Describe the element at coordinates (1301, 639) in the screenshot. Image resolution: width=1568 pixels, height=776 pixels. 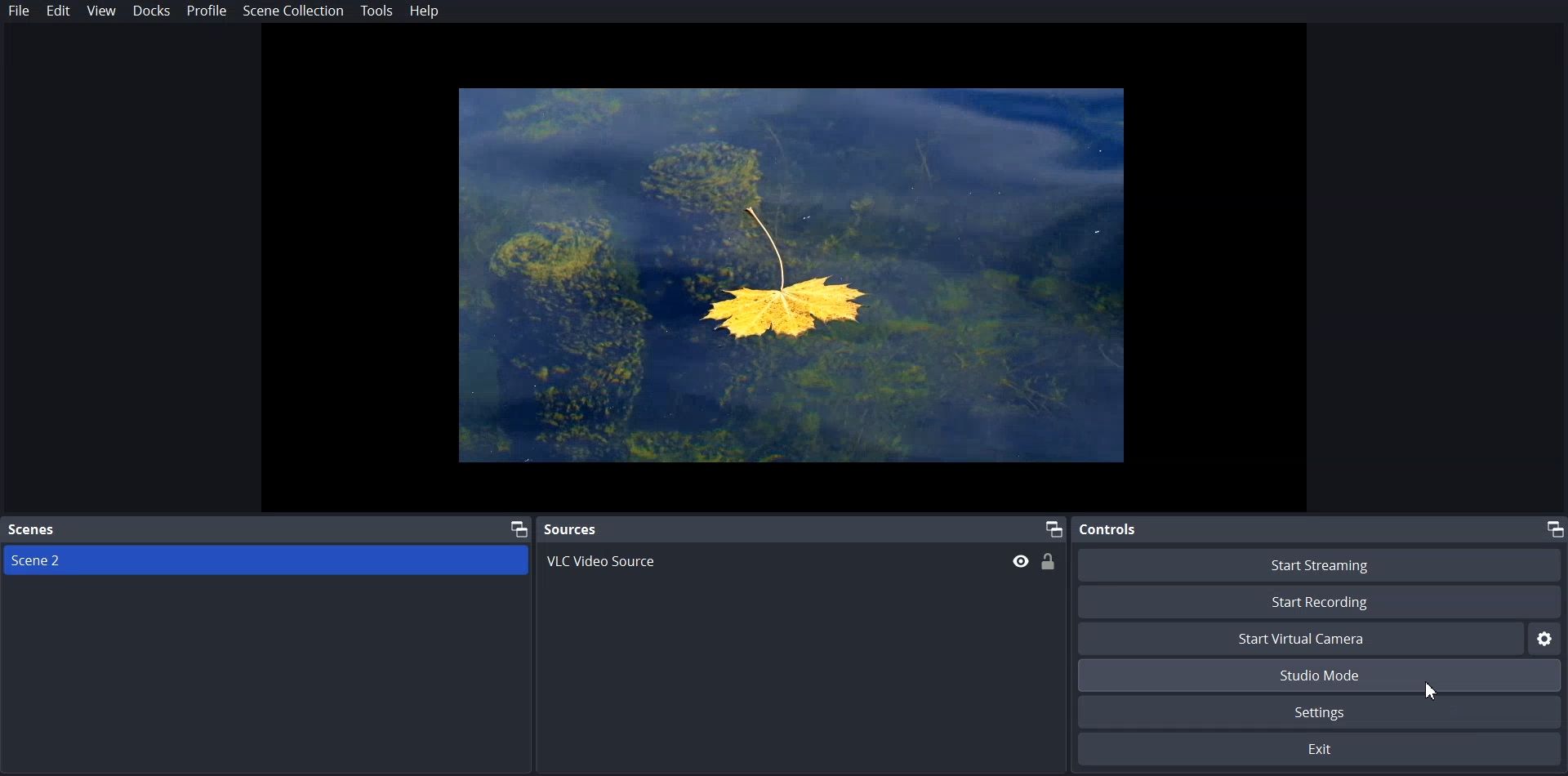
I see `Start Virtual Camera` at that location.